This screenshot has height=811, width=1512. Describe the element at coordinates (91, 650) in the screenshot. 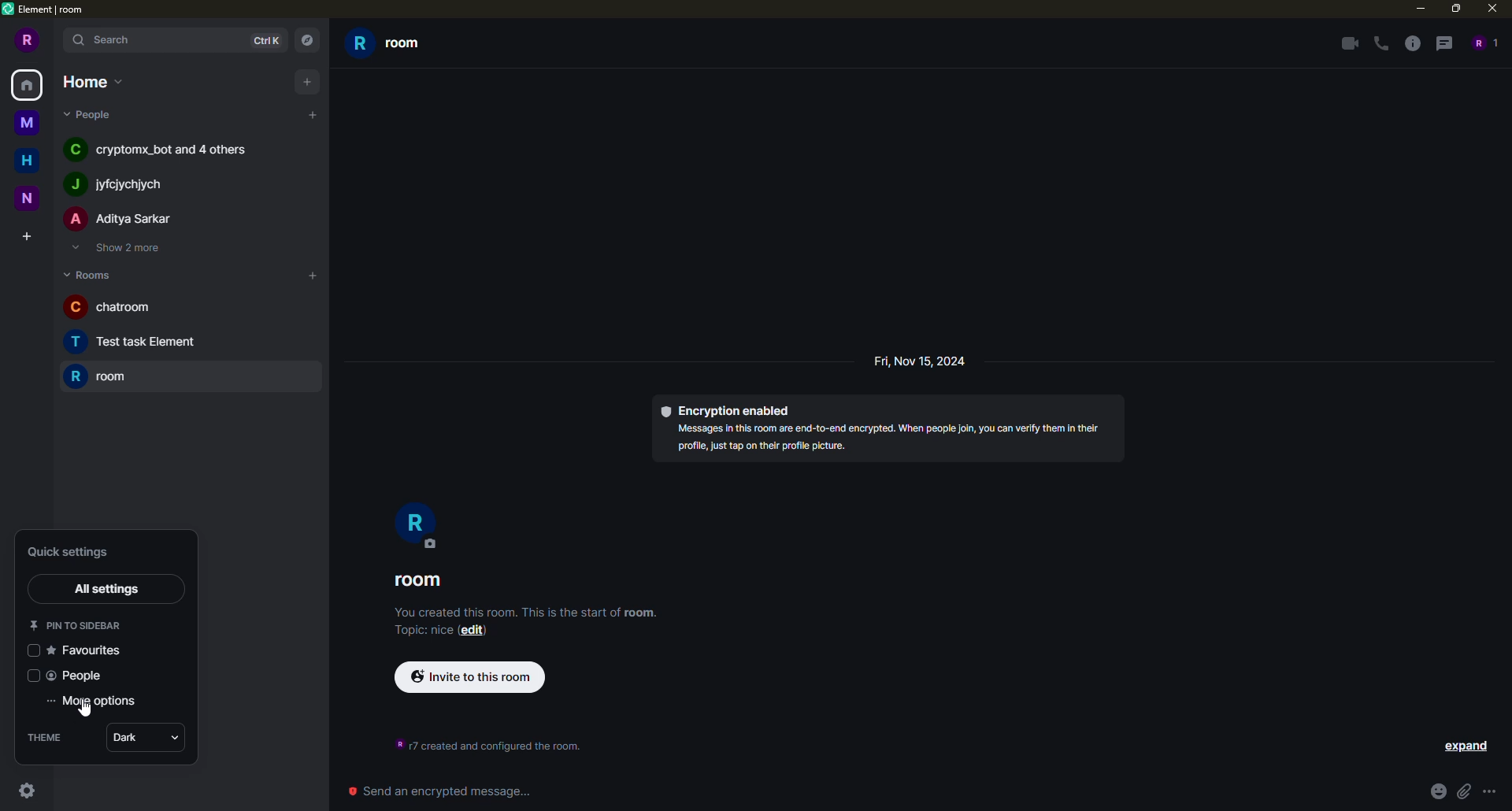

I see `favorites` at that location.